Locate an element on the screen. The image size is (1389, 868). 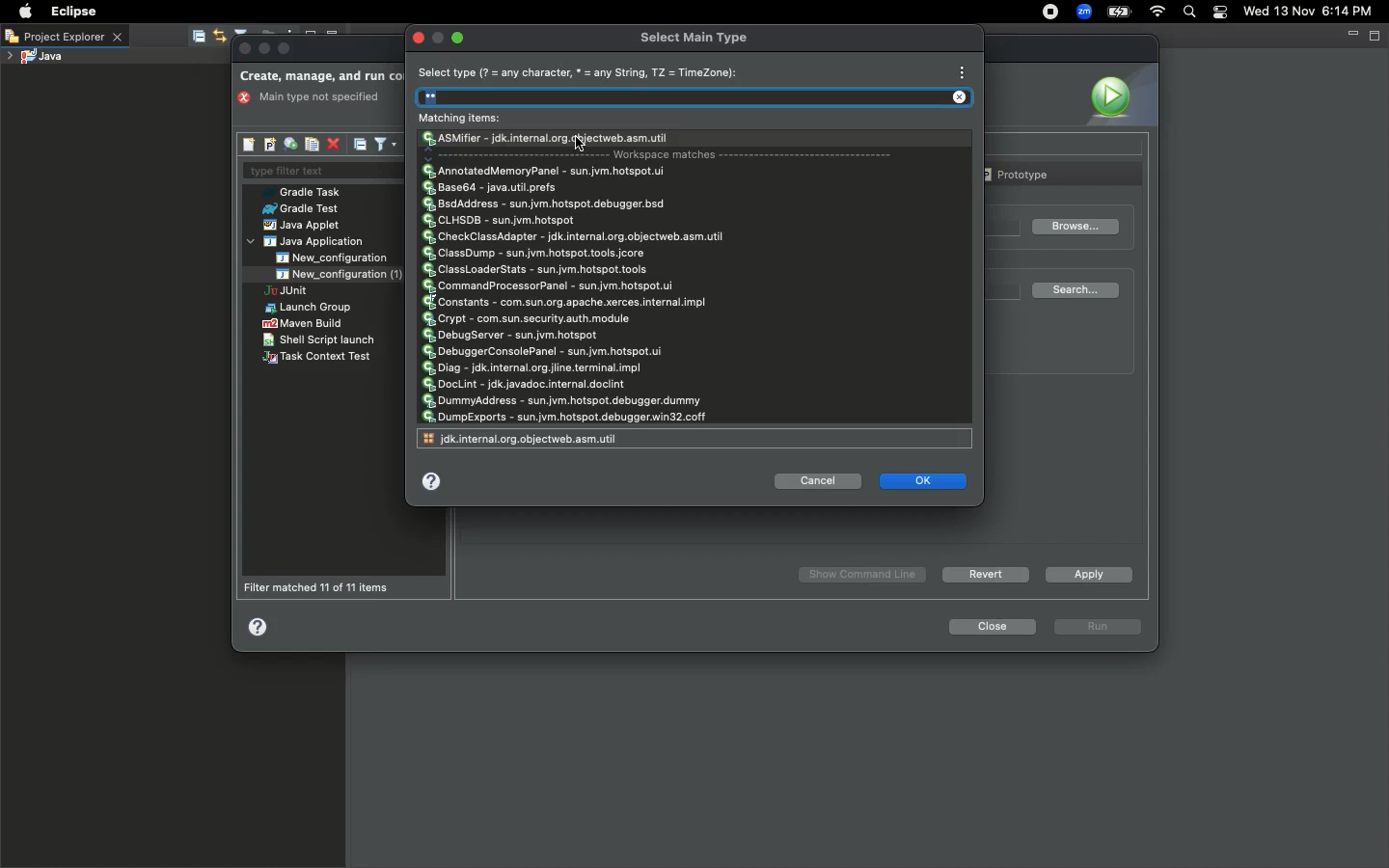
Date/time is located at coordinates (1316, 11).